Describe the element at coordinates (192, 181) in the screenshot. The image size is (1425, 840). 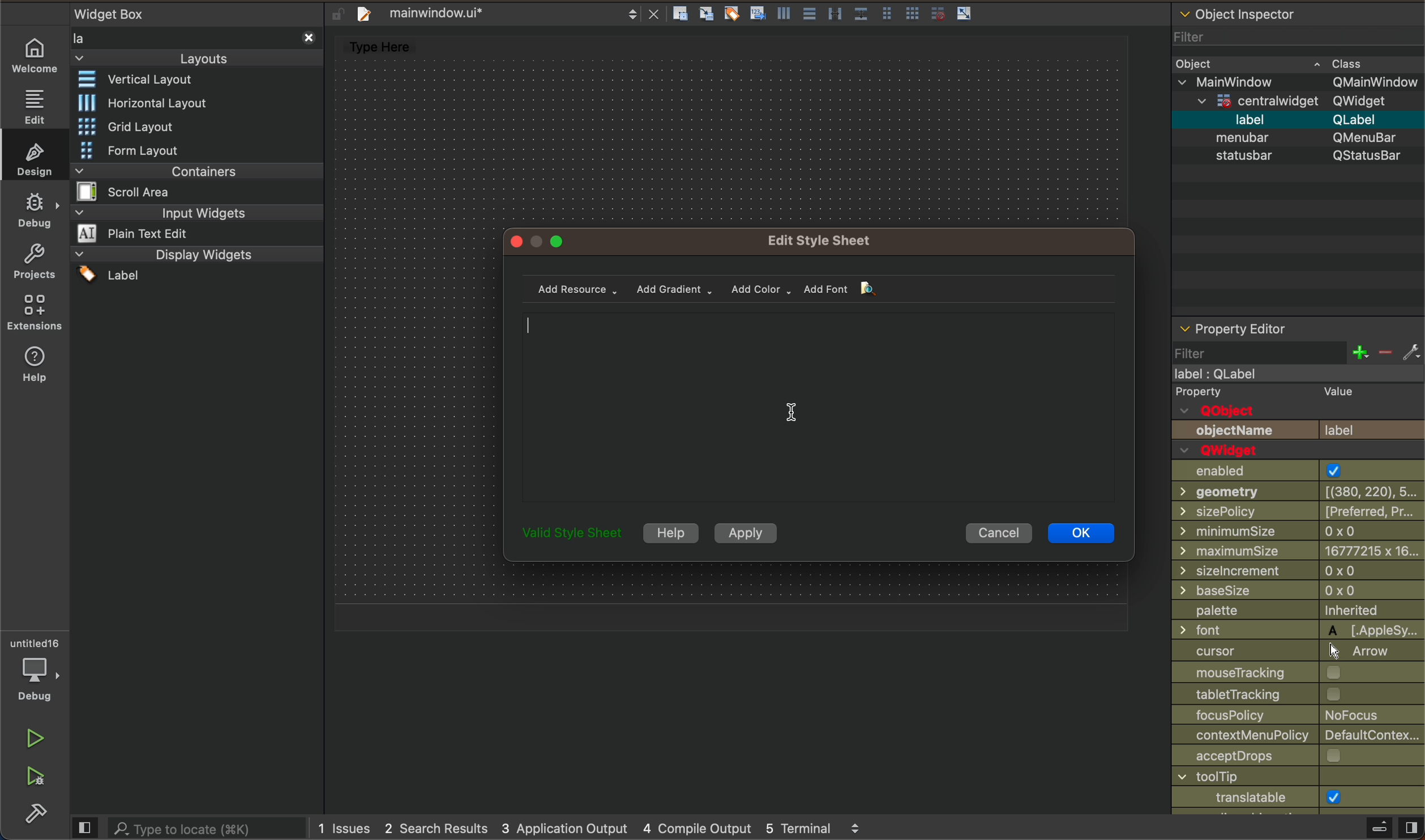
I see `containers` at that location.